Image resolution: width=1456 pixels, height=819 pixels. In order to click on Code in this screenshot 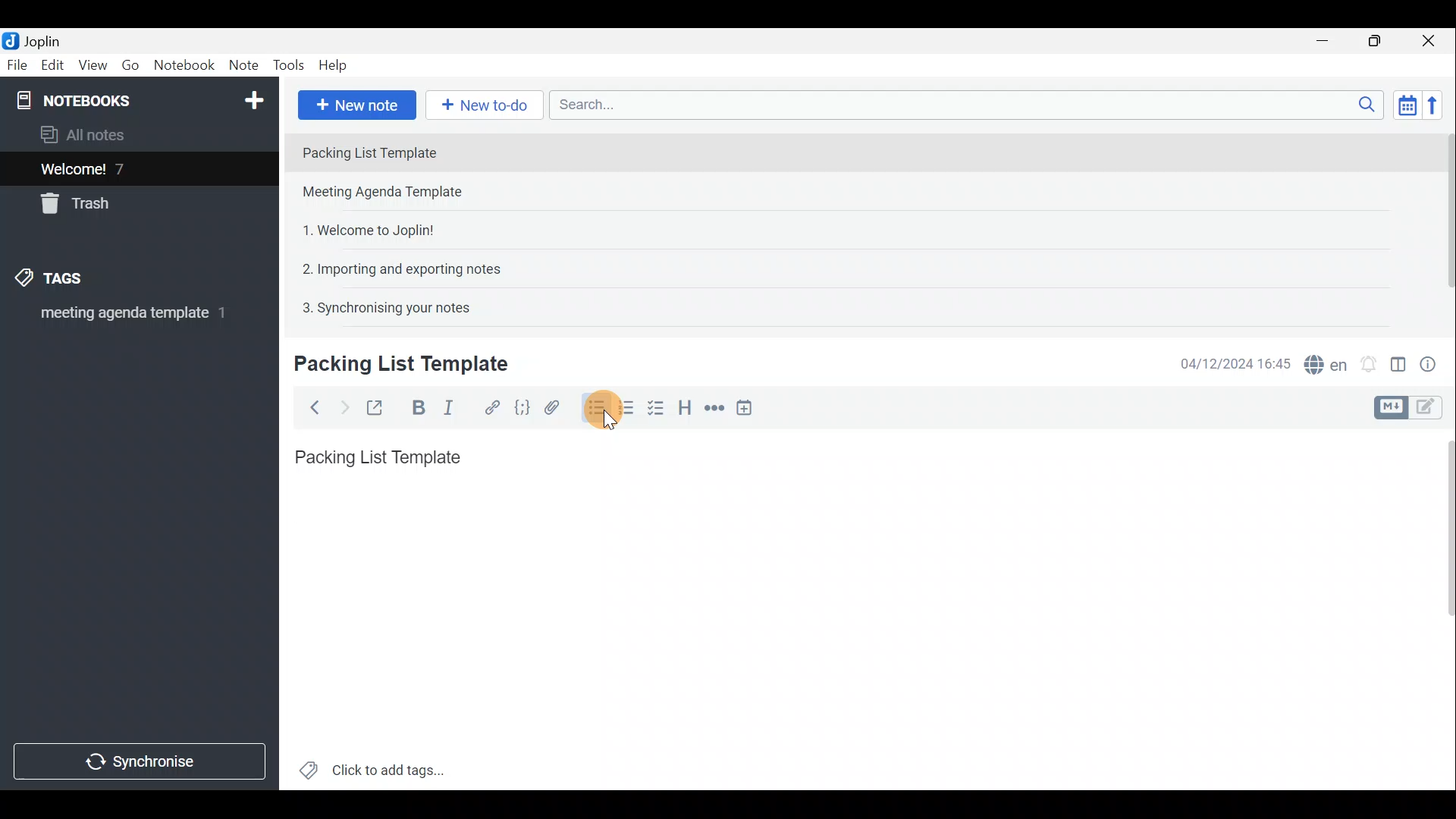, I will do `click(522, 406)`.